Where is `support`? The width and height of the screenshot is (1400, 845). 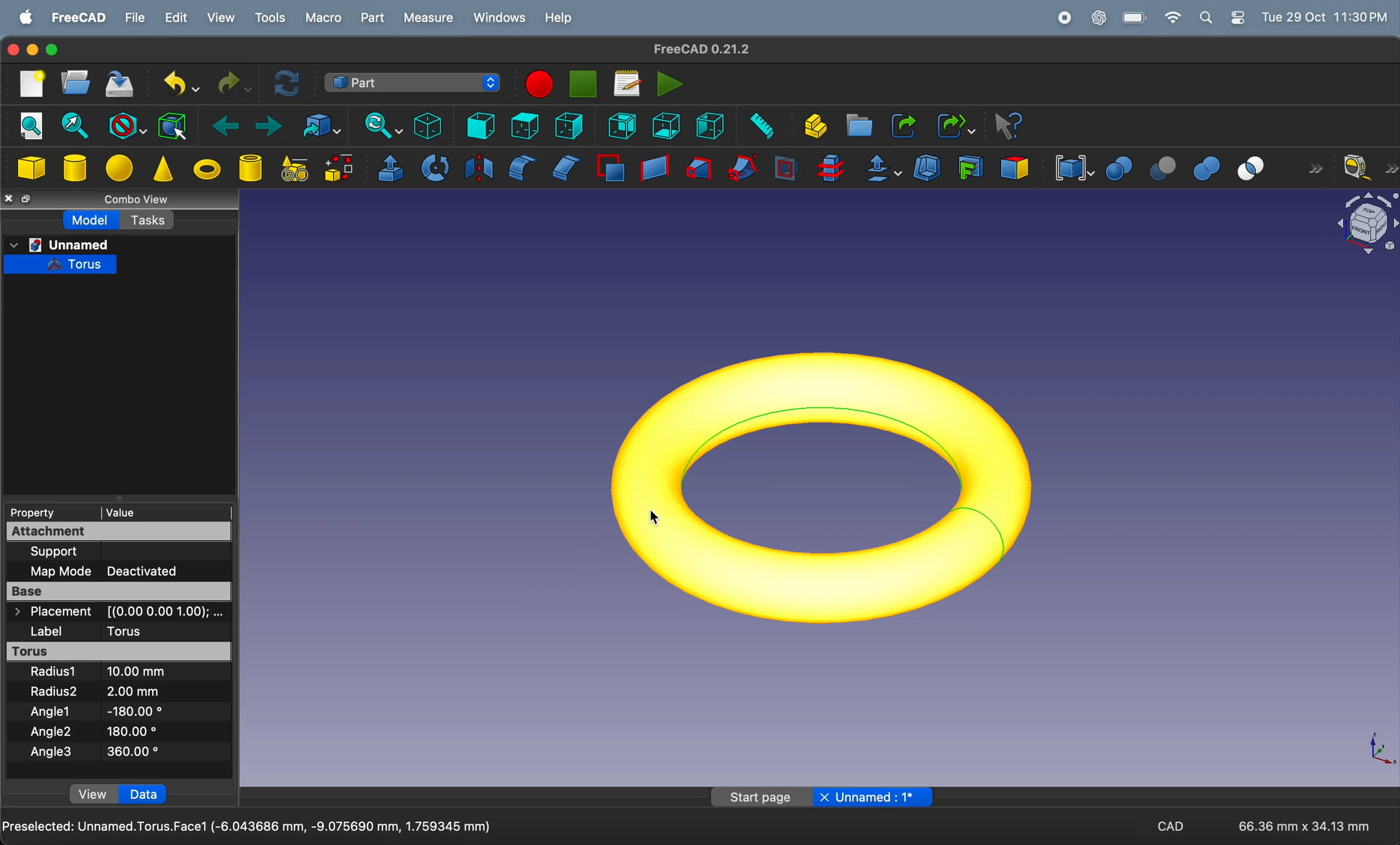 support is located at coordinates (64, 553).